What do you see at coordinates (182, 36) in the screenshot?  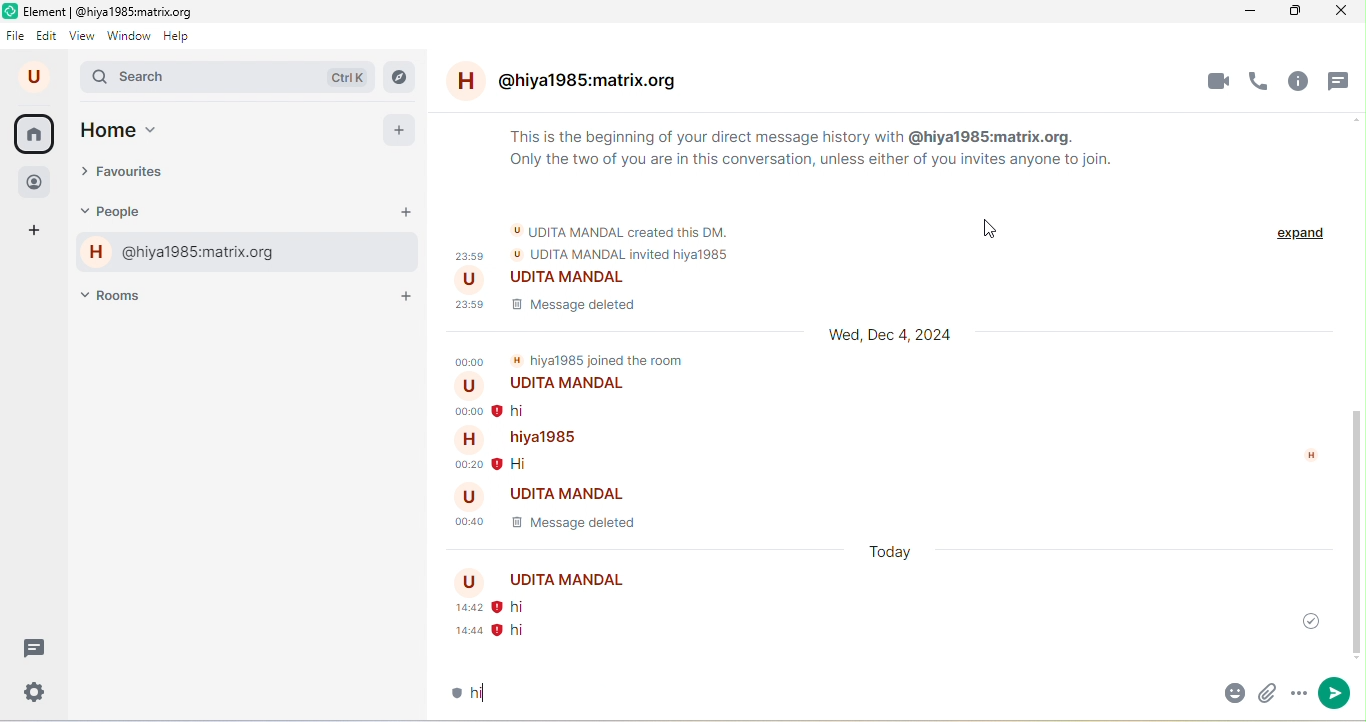 I see `help` at bounding box center [182, 36].